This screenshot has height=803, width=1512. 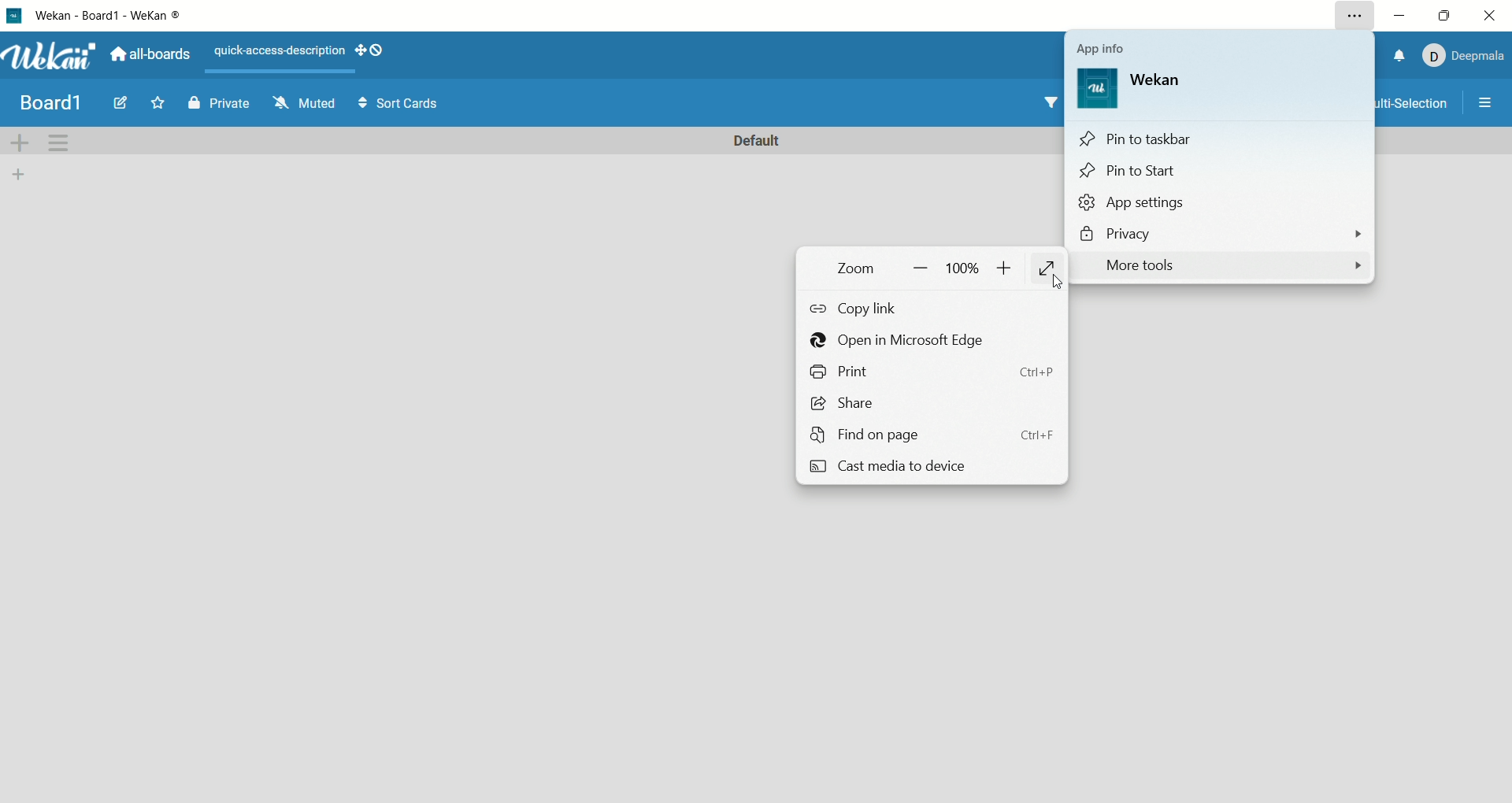 I want to click on add list, so click(x=25, y=175).